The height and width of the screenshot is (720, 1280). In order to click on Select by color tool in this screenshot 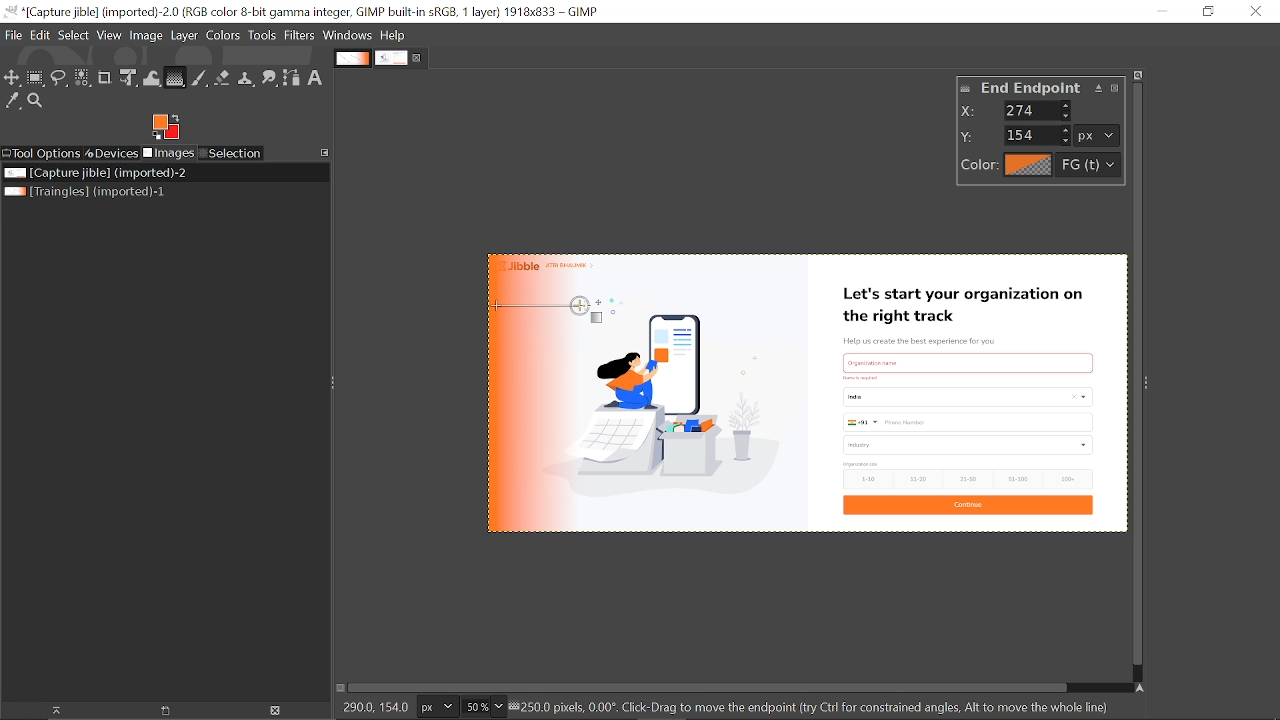, I will do `click(83, 77)`.